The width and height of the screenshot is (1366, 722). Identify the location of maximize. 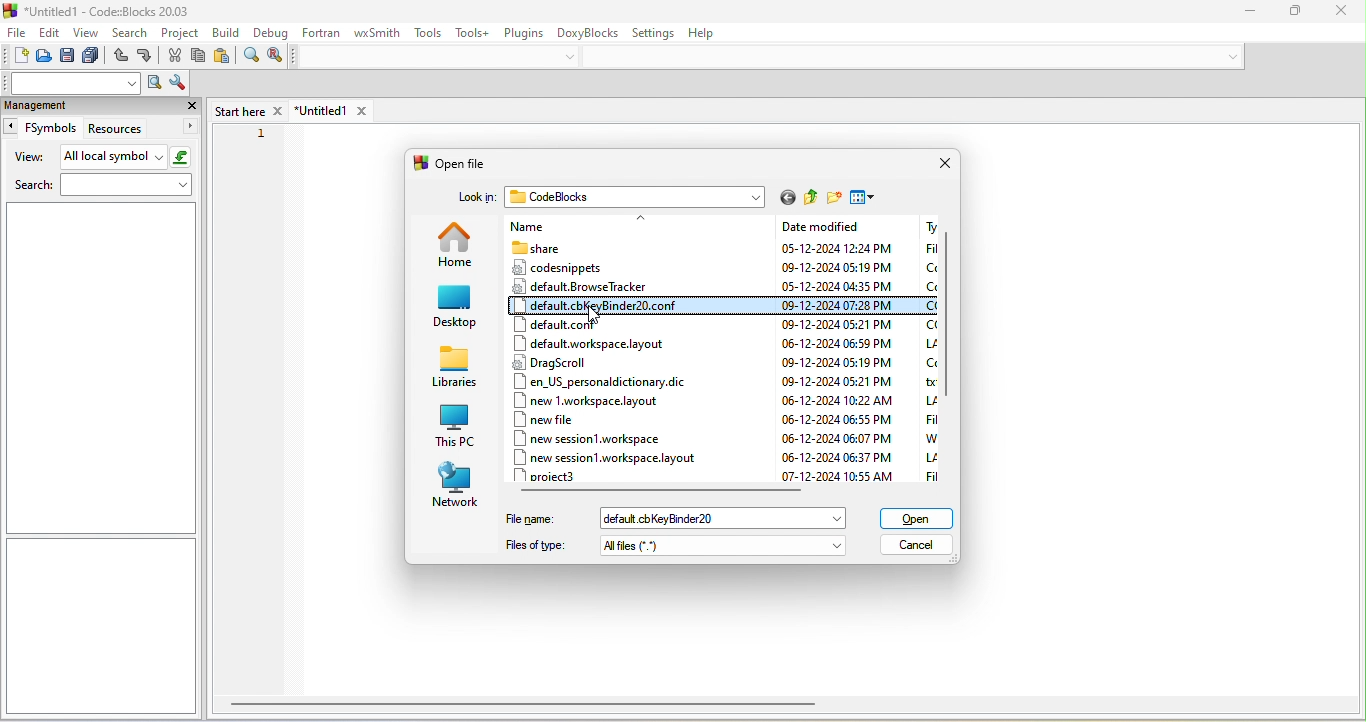
(1289, 13).